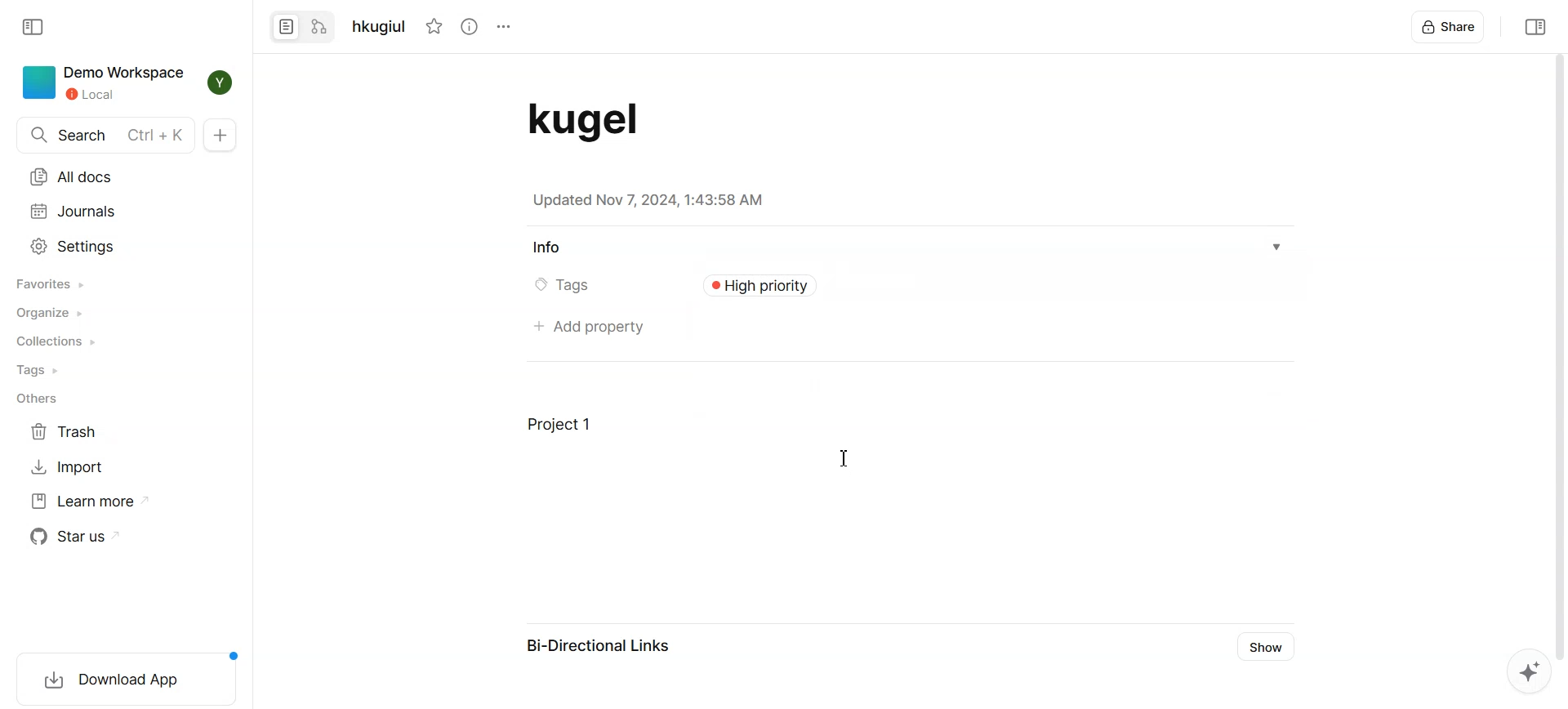 The height and width of the screenshot is (709, 1568). Describe the element at coordinates (383, 27) in the screenshot. I see `hkugiul` at that location.